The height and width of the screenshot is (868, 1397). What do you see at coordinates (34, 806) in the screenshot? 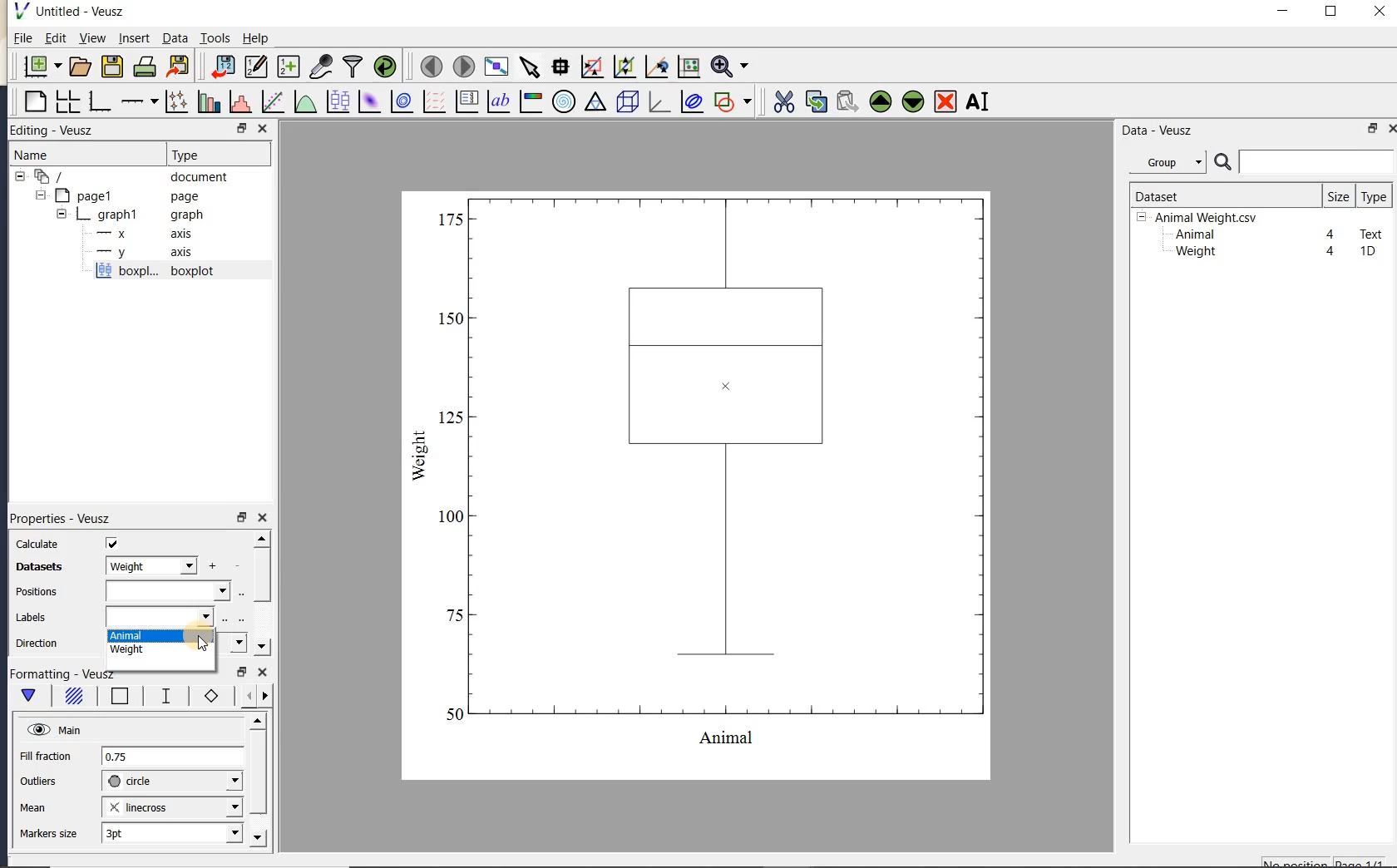
I see `mean` at bounding box center [34, 806].